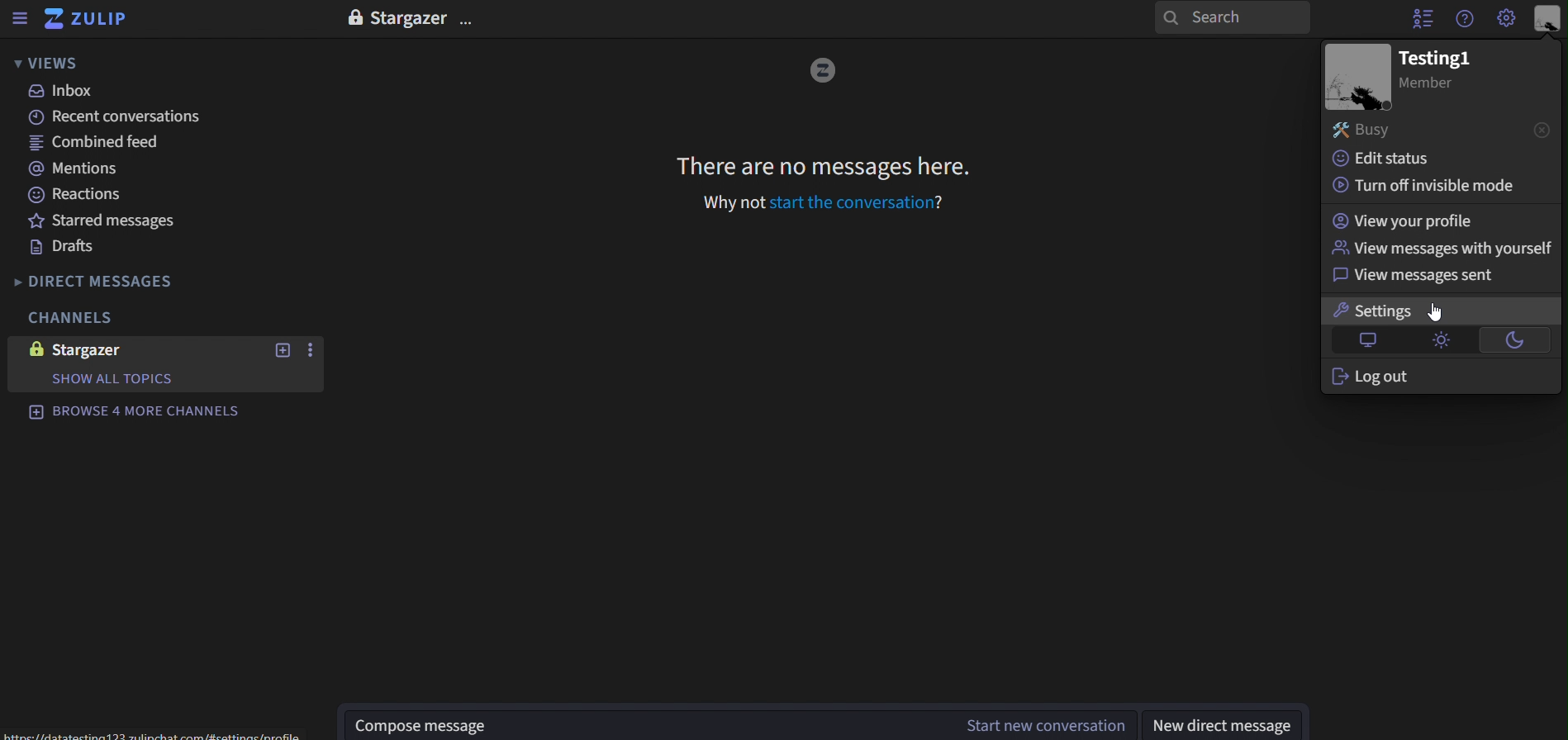  What do you see at coordinates (1357, 78) in the screenshot?
I see `image` at bounding box center [1357, 78].